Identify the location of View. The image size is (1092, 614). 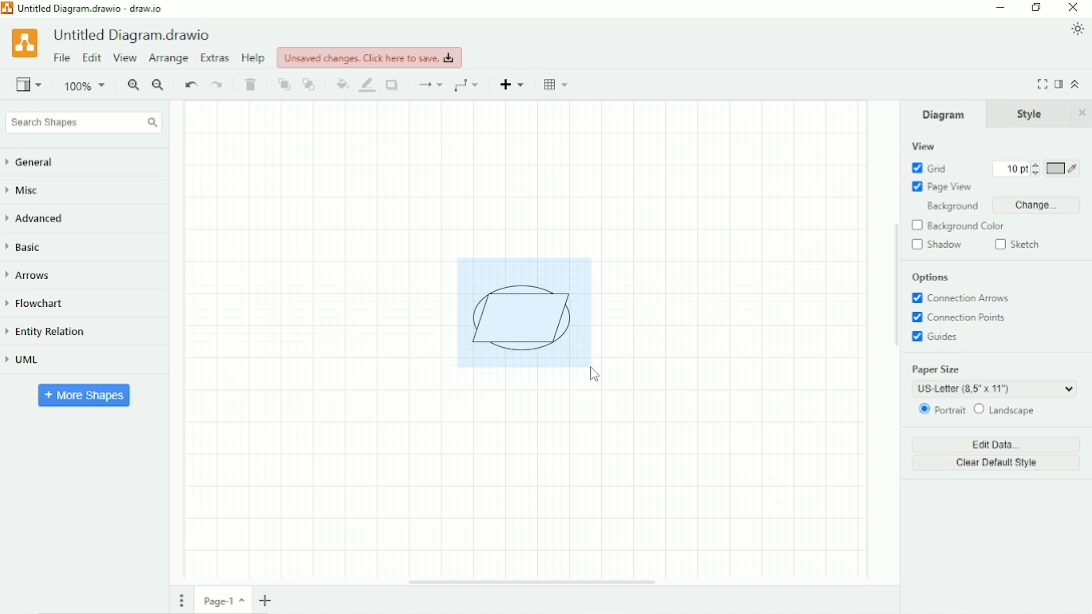
(125, 59).